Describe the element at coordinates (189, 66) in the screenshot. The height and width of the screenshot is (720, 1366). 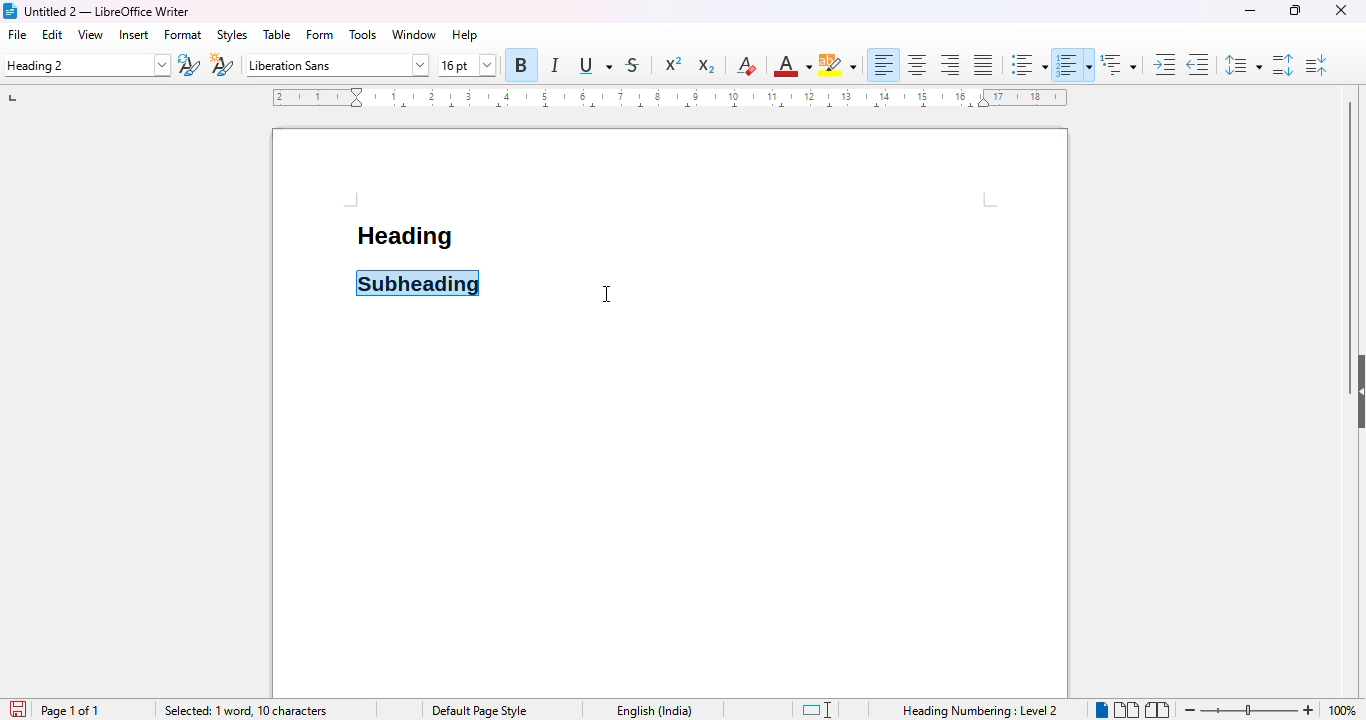
I see `update selected style` at that location.